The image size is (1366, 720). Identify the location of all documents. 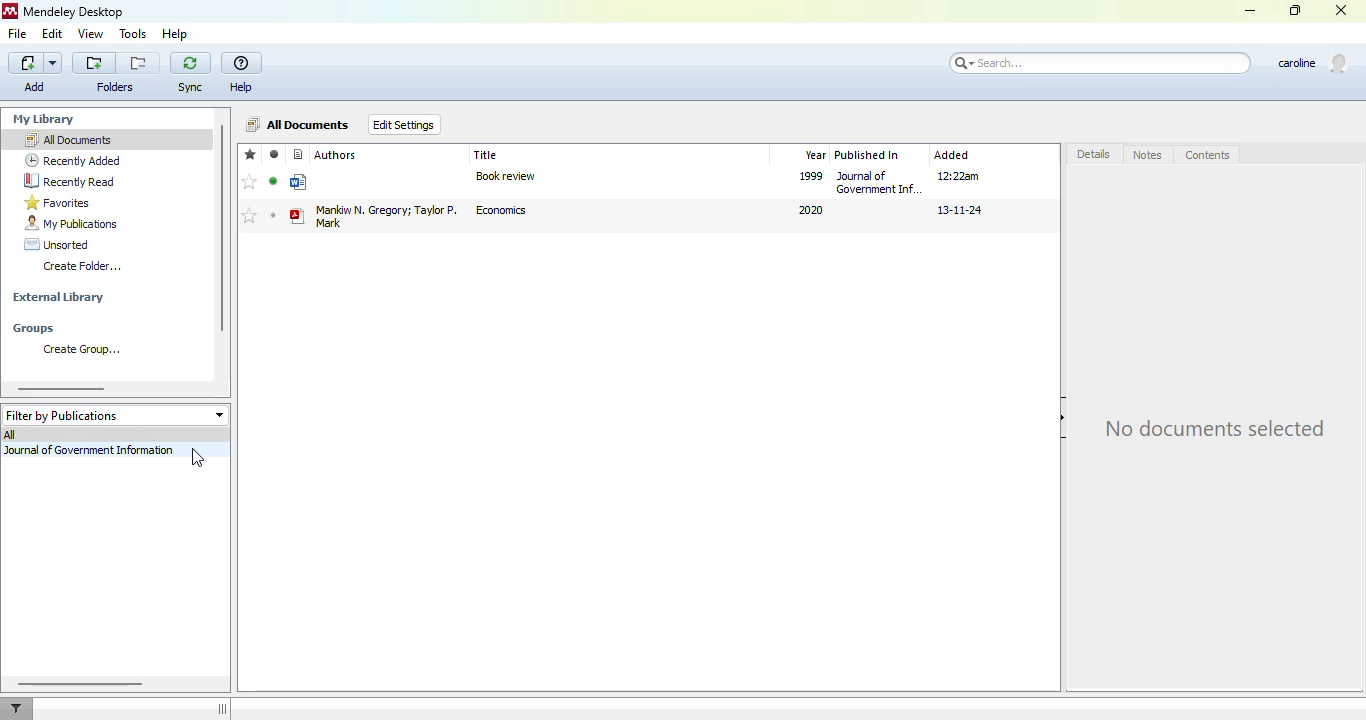
(68, 139).